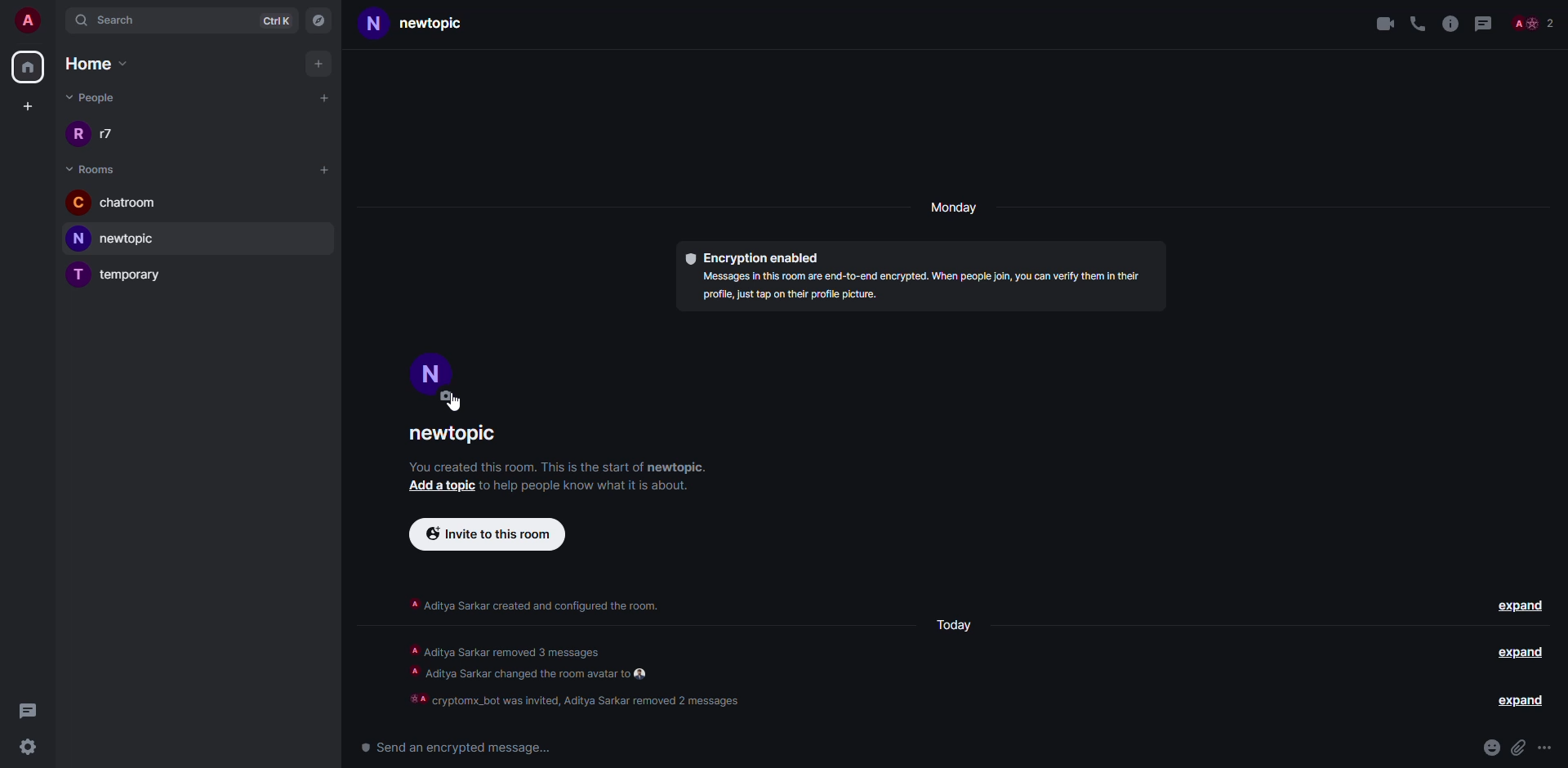 This screenshot has width=1568, height=768. Describe the element at coordinates (954, 208) in the screenshot. I see `Monday` at that location.